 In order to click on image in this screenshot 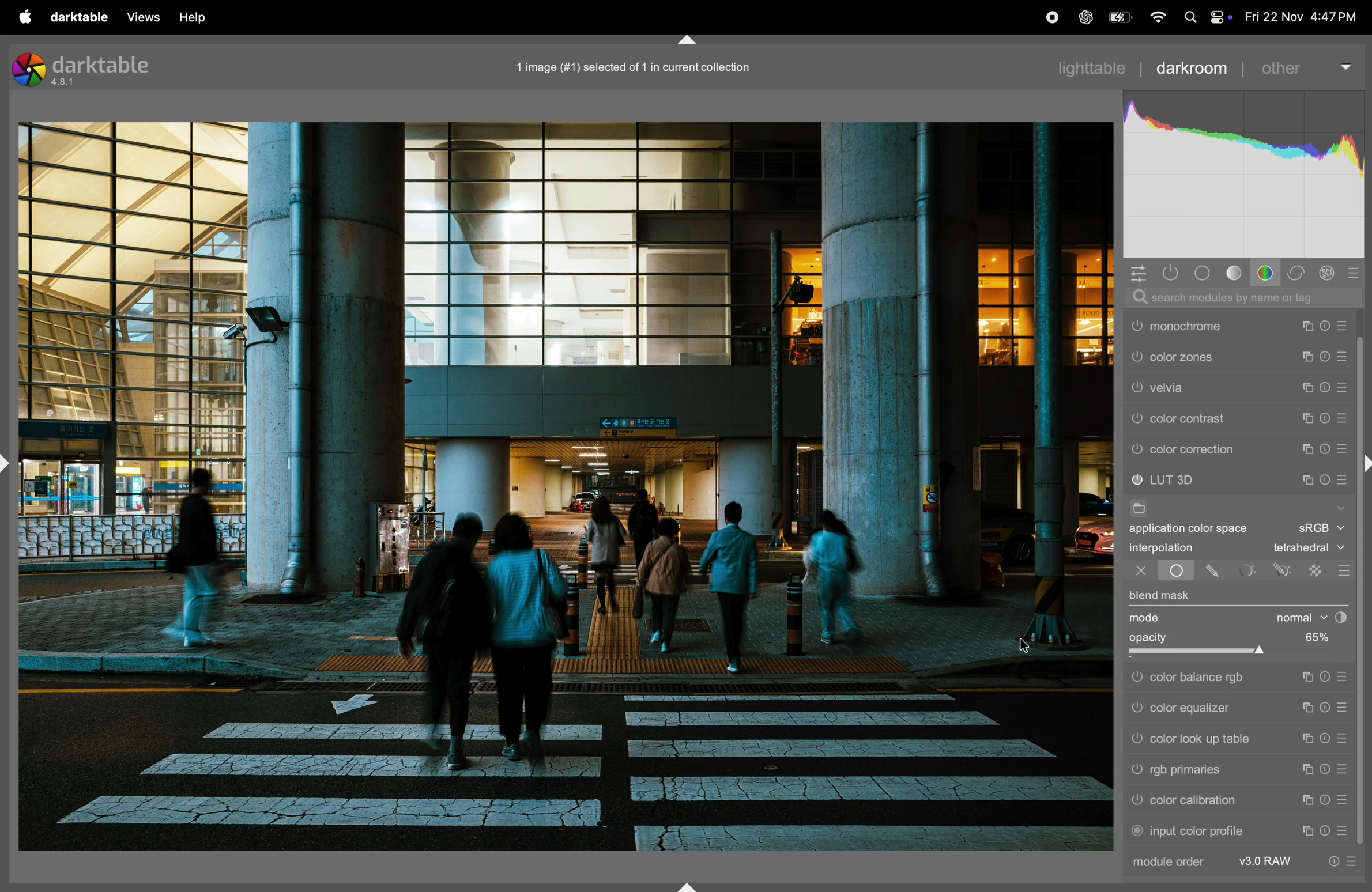, I will do `click(568, 487)`.